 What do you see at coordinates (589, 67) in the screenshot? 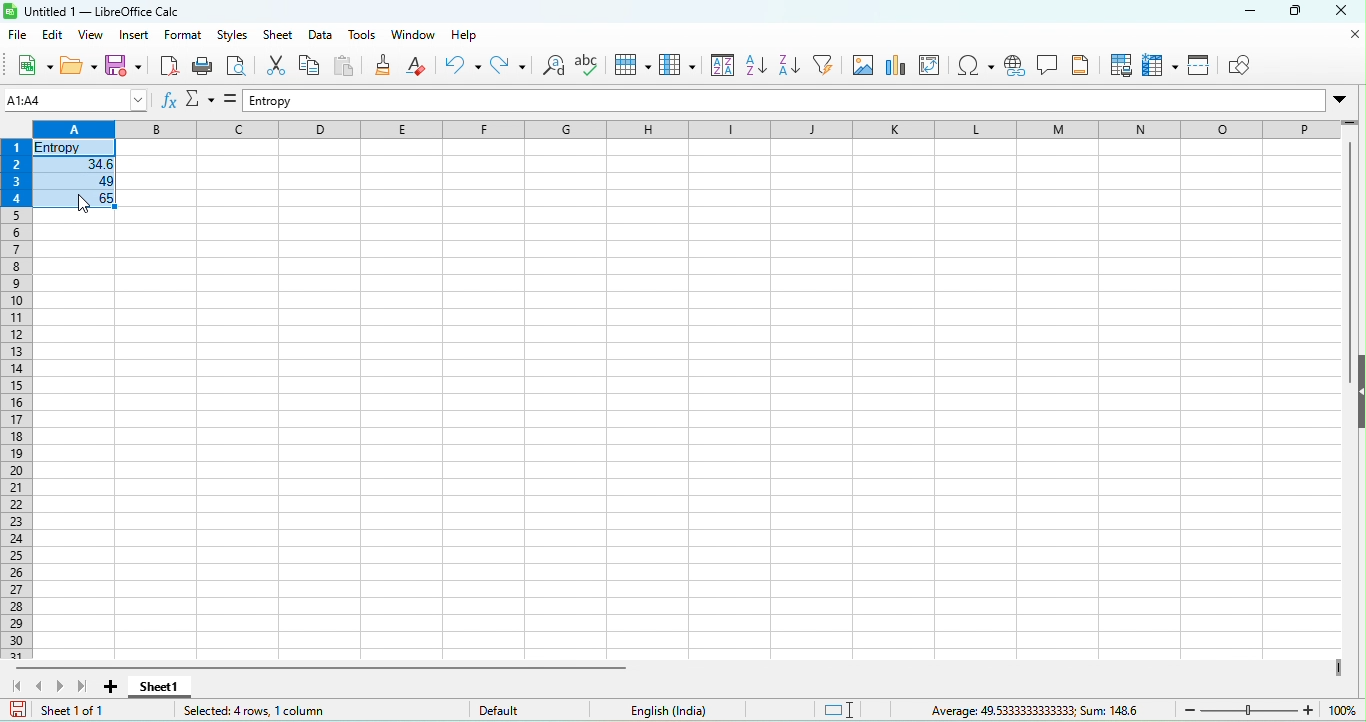
I see `spelling` at bounding box center [589, 67].